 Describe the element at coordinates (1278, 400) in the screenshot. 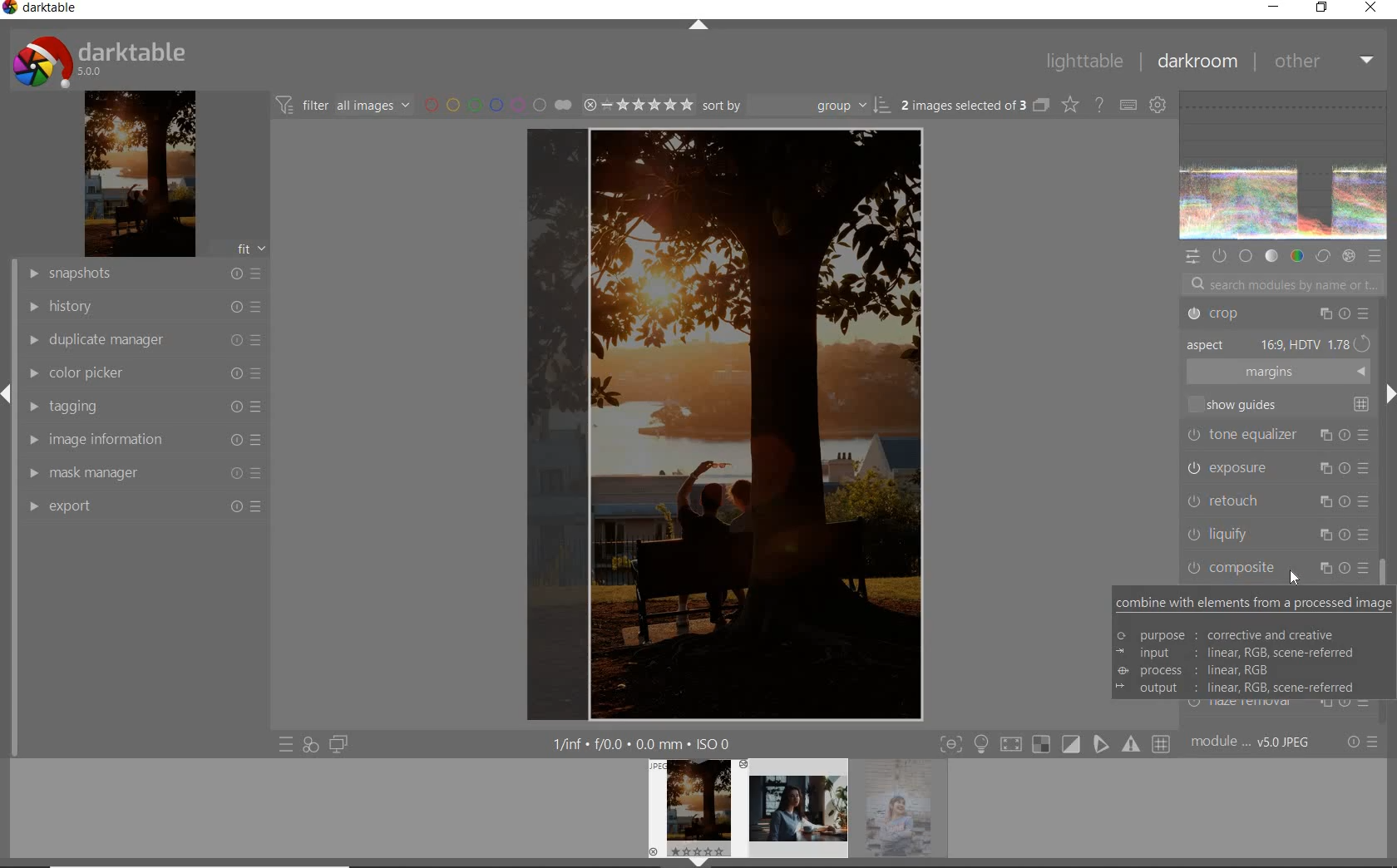

I see `show guides` at that location.